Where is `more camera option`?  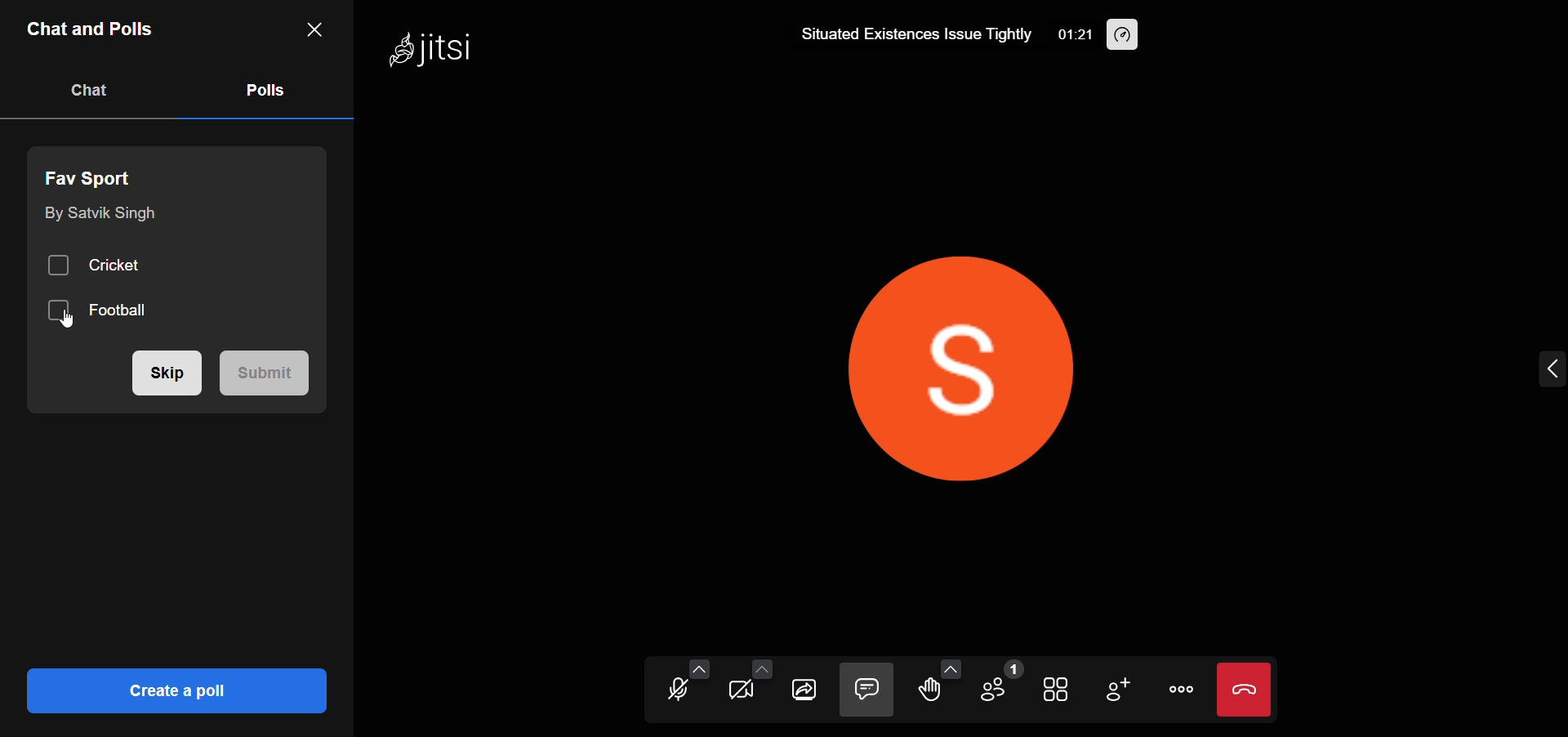
more camera option is located at coordinates (759, 667).